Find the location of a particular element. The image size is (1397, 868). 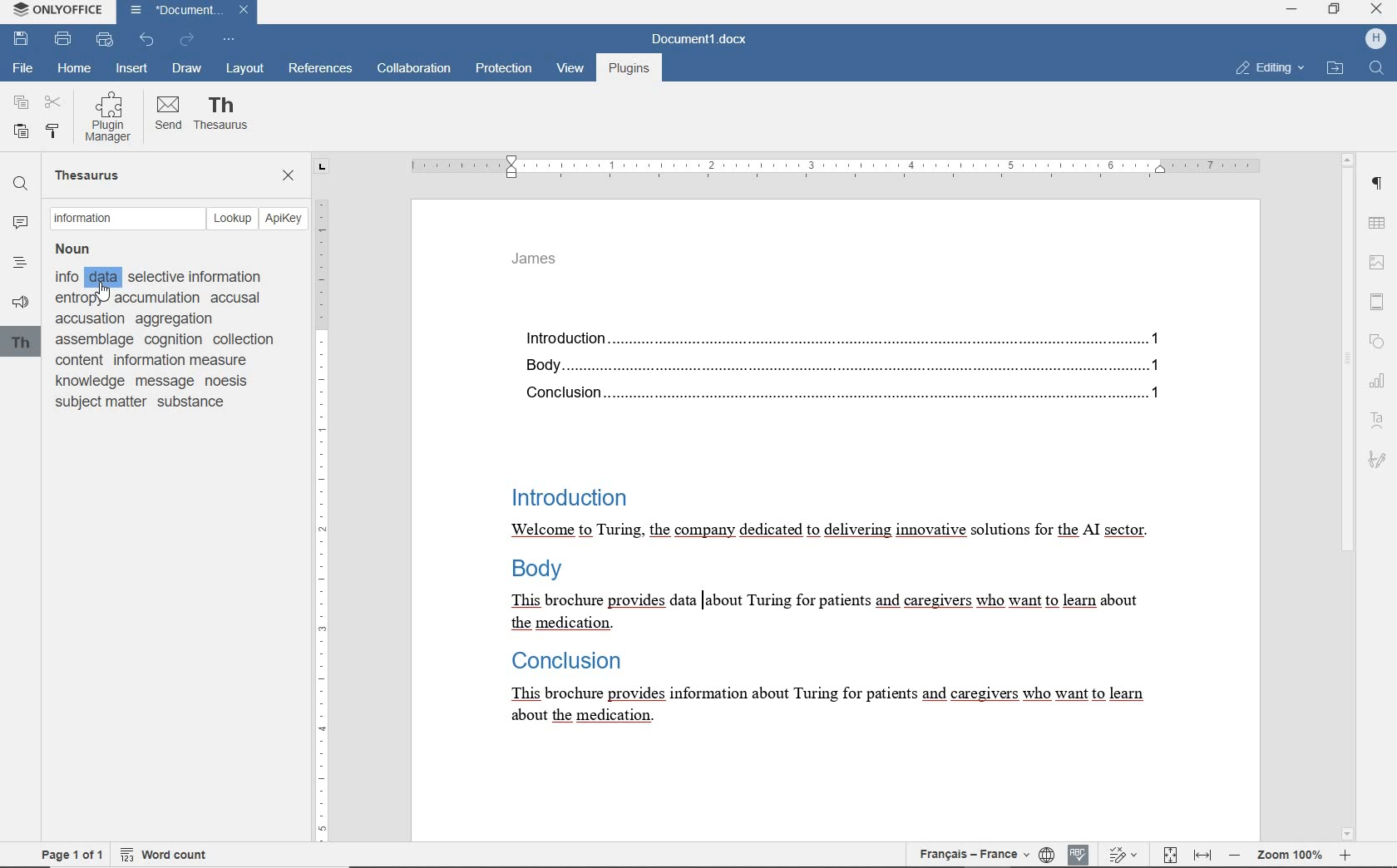

THESAURUS is located at coordinates (91, 175).